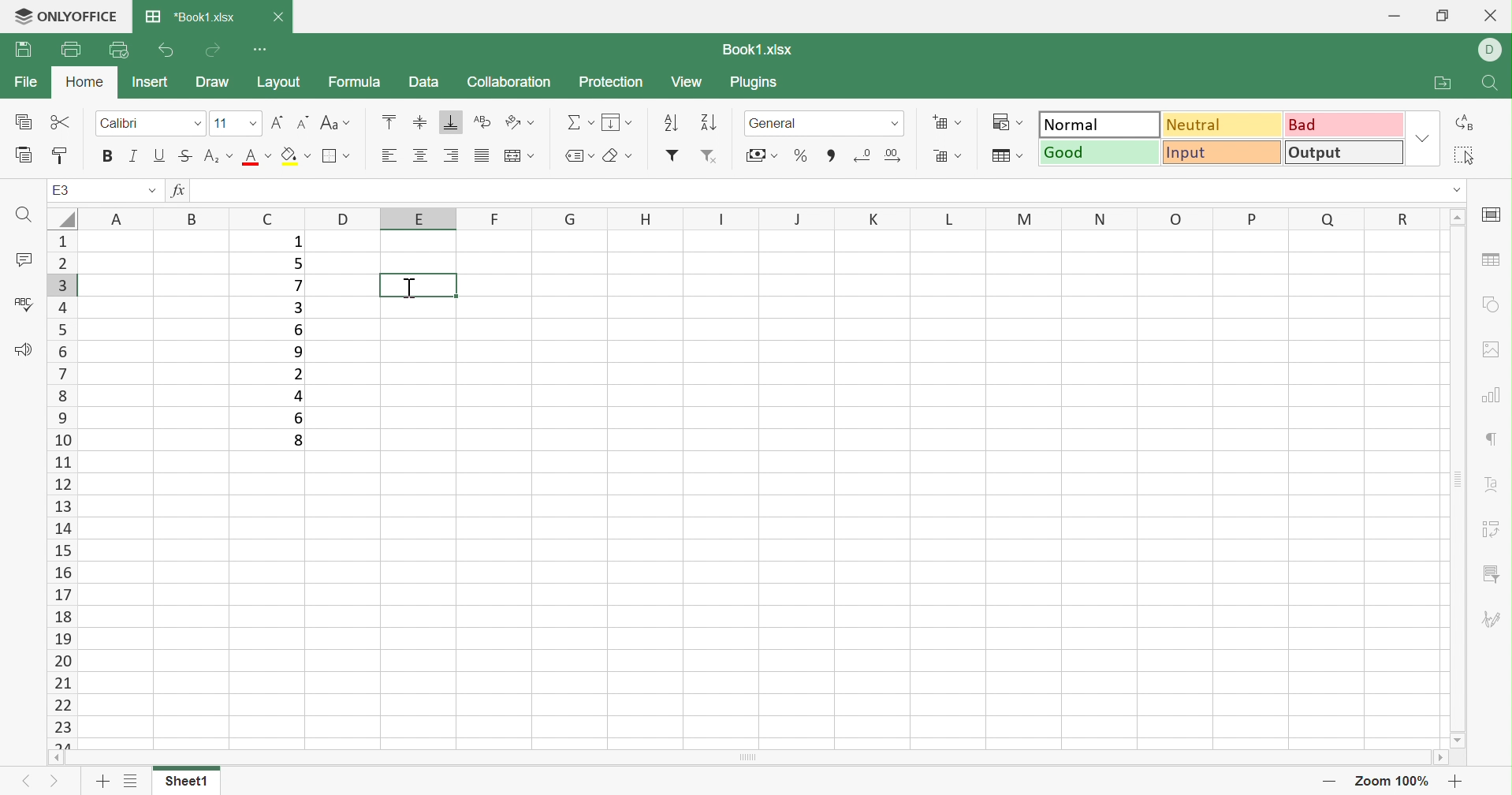 The image size is (1512, 795). What do you see at coordinates (296, 243) in the screenshot?
I see `1` at bounding box center [296, 243].